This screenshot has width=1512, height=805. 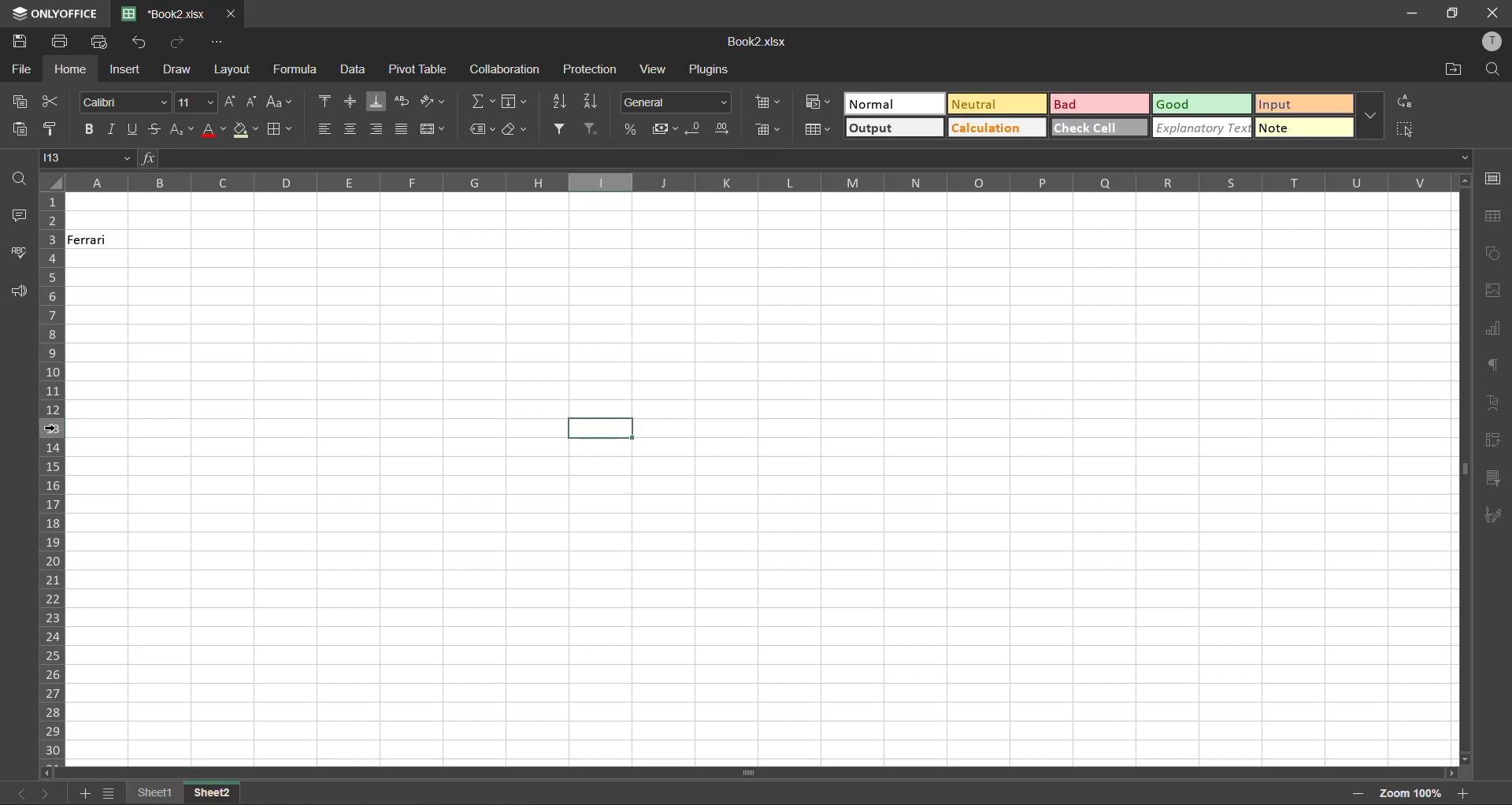 What do you see at coordinates (593, 131) in the screenshot?
I see `clear filter` at bounding box center [593, 131].